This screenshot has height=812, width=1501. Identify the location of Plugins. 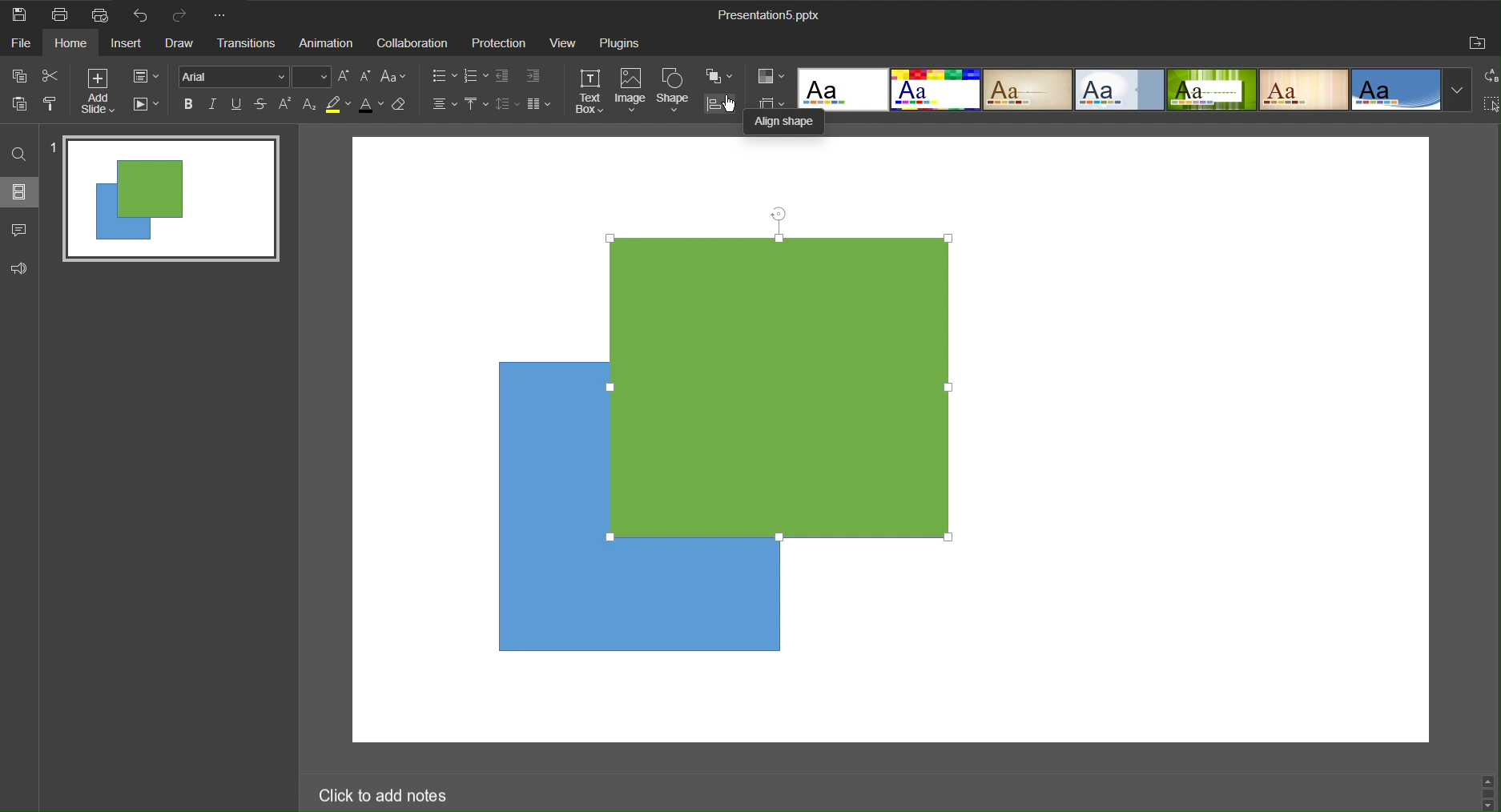
(622, 43).